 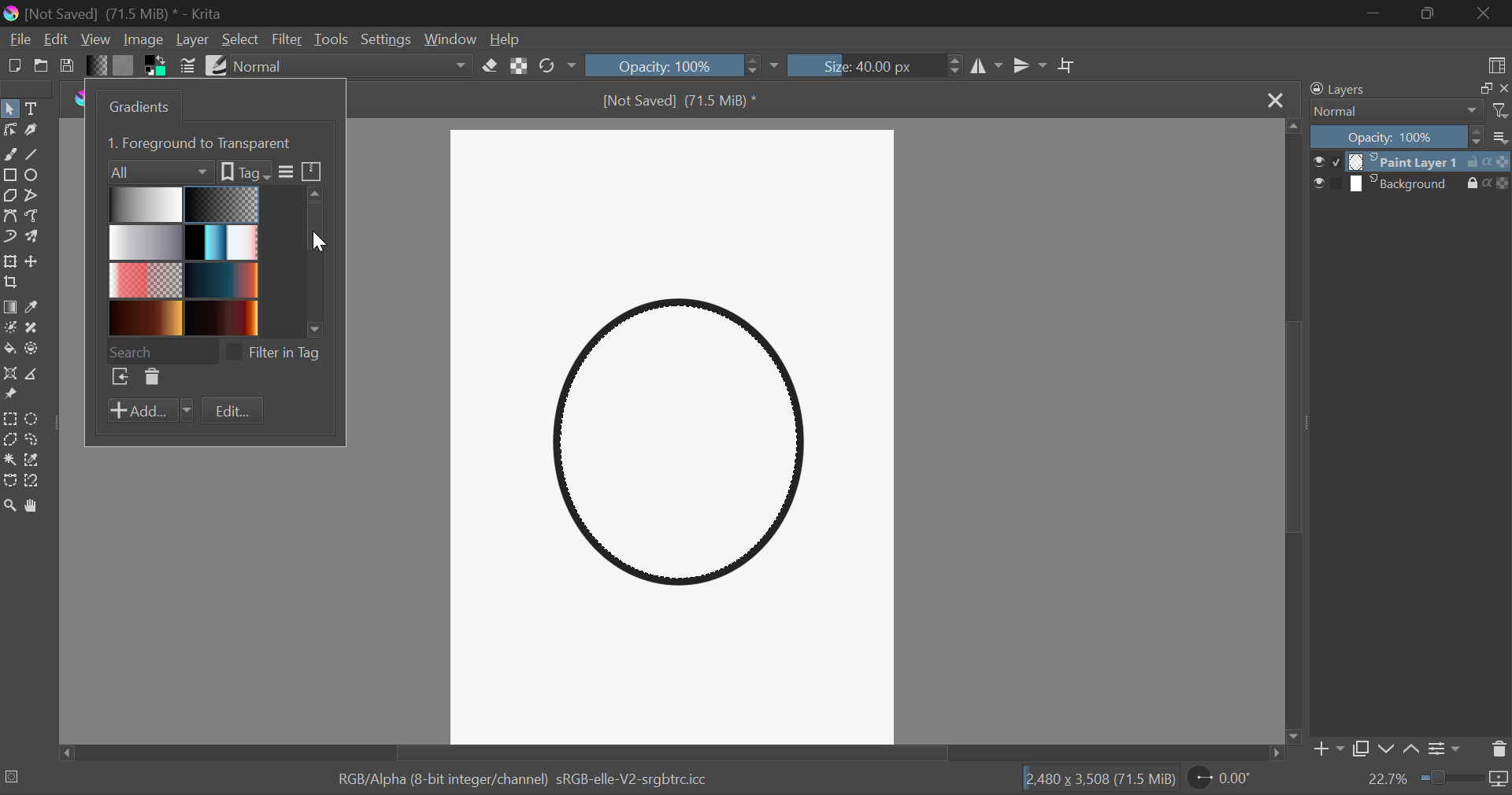 What do you see at coordinates (141, 106) in the screenshot?
I see `Gradients` at bounding box center [141, 106].